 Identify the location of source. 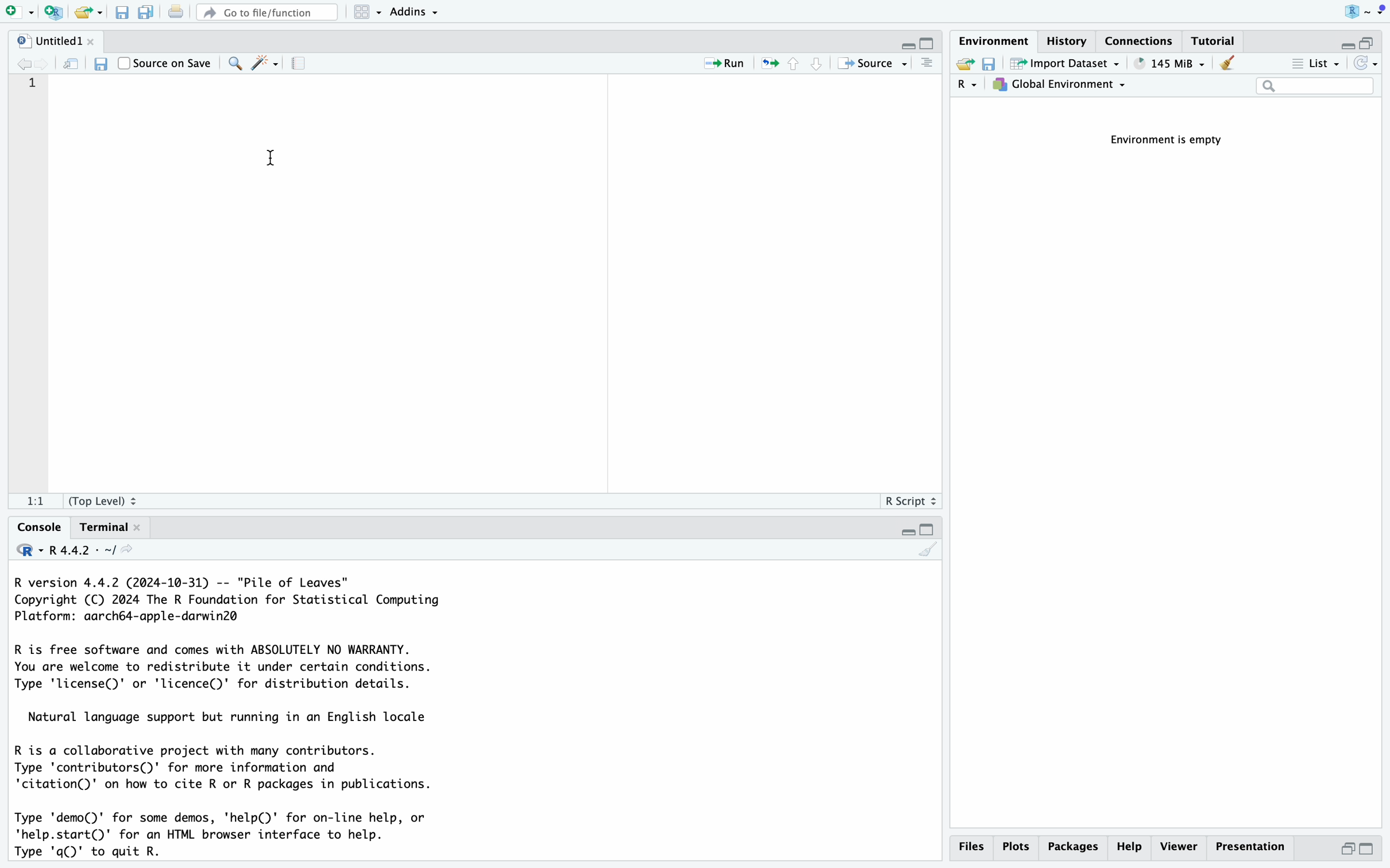
(874, 65).